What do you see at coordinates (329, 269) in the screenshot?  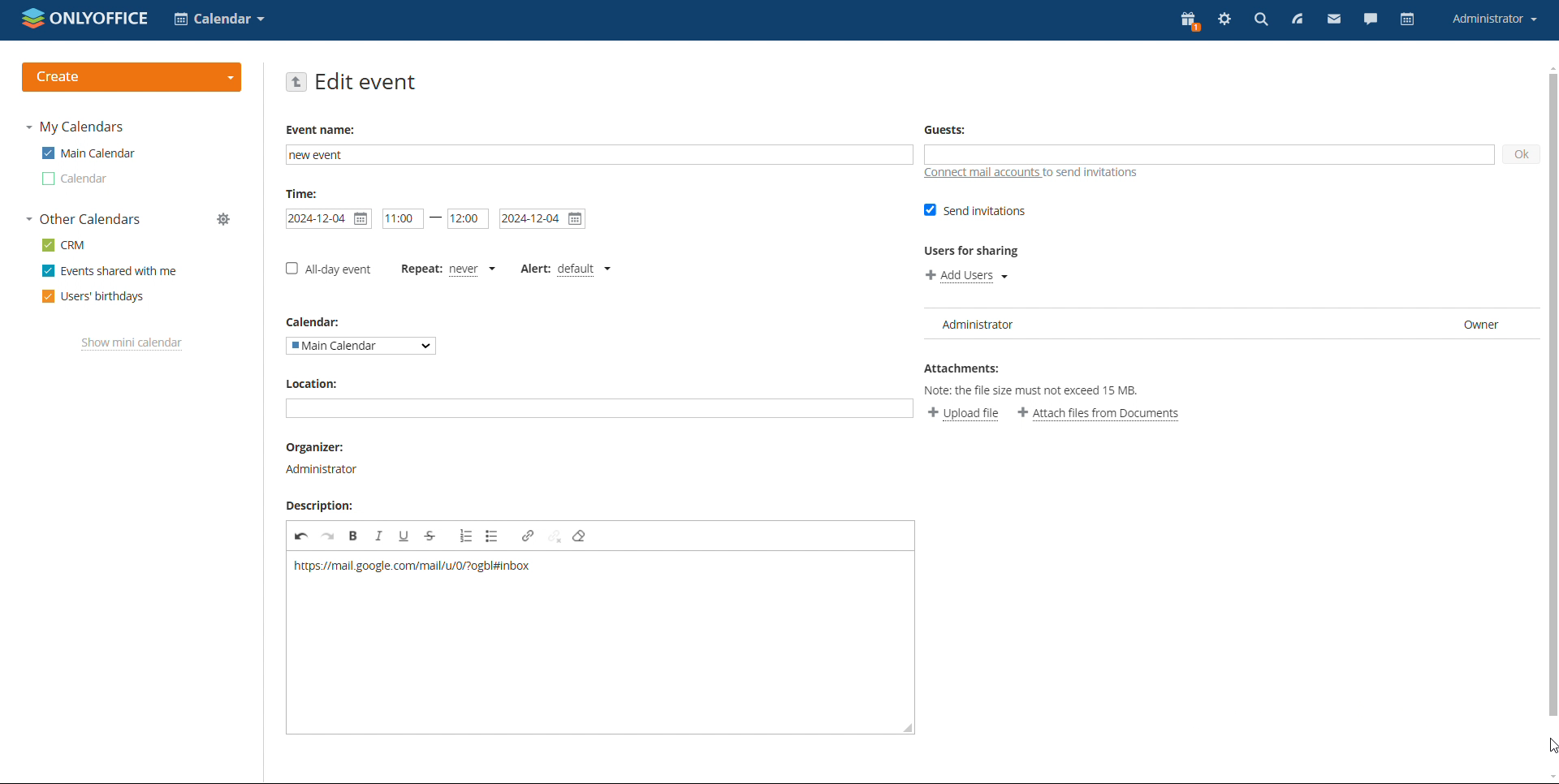 I see `all-day event checkbox` at bounding box center [329, 269].